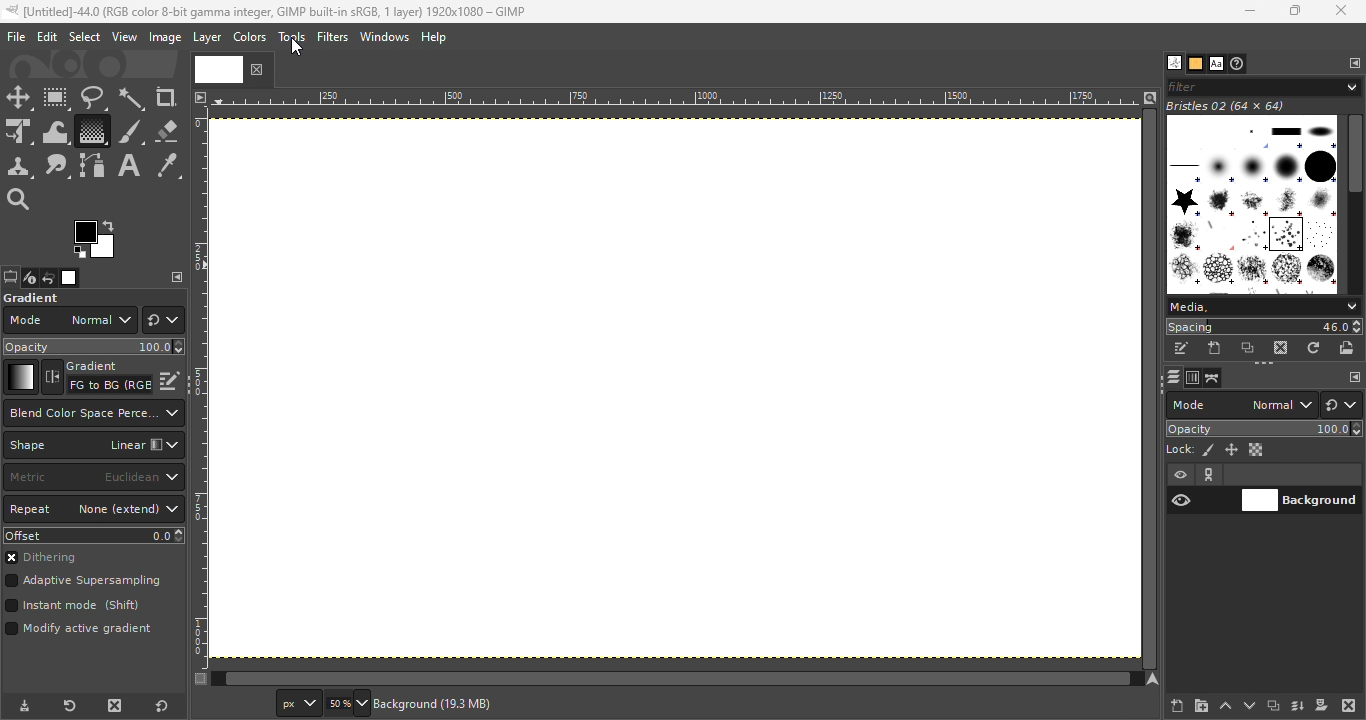  Describe the element at coordinates (69, 320) in the screenshot. I see `Mode` at that location.